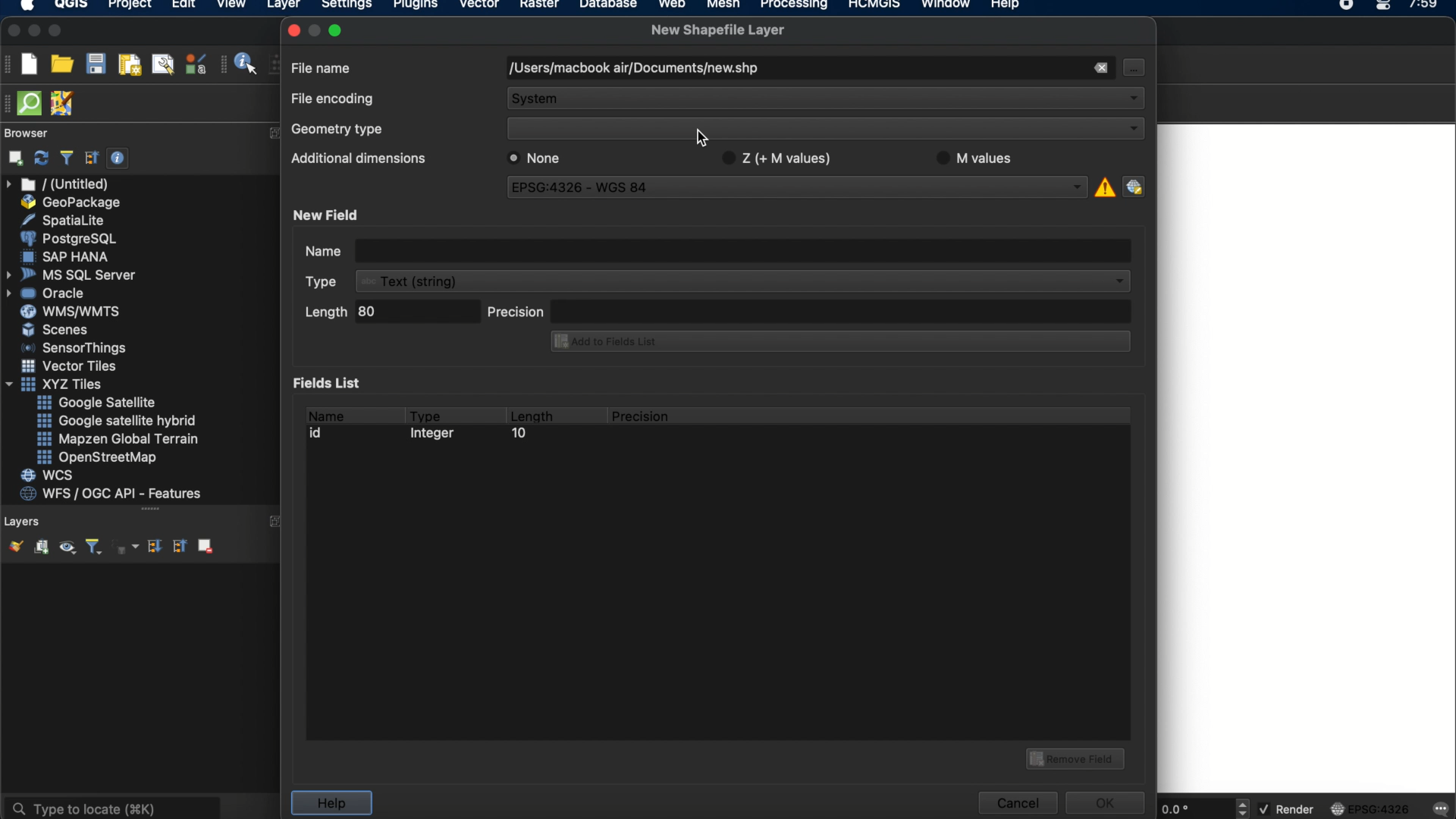 The height and width of the screenshot is (819, 1456). I want to click on add group, so click(41, 548).